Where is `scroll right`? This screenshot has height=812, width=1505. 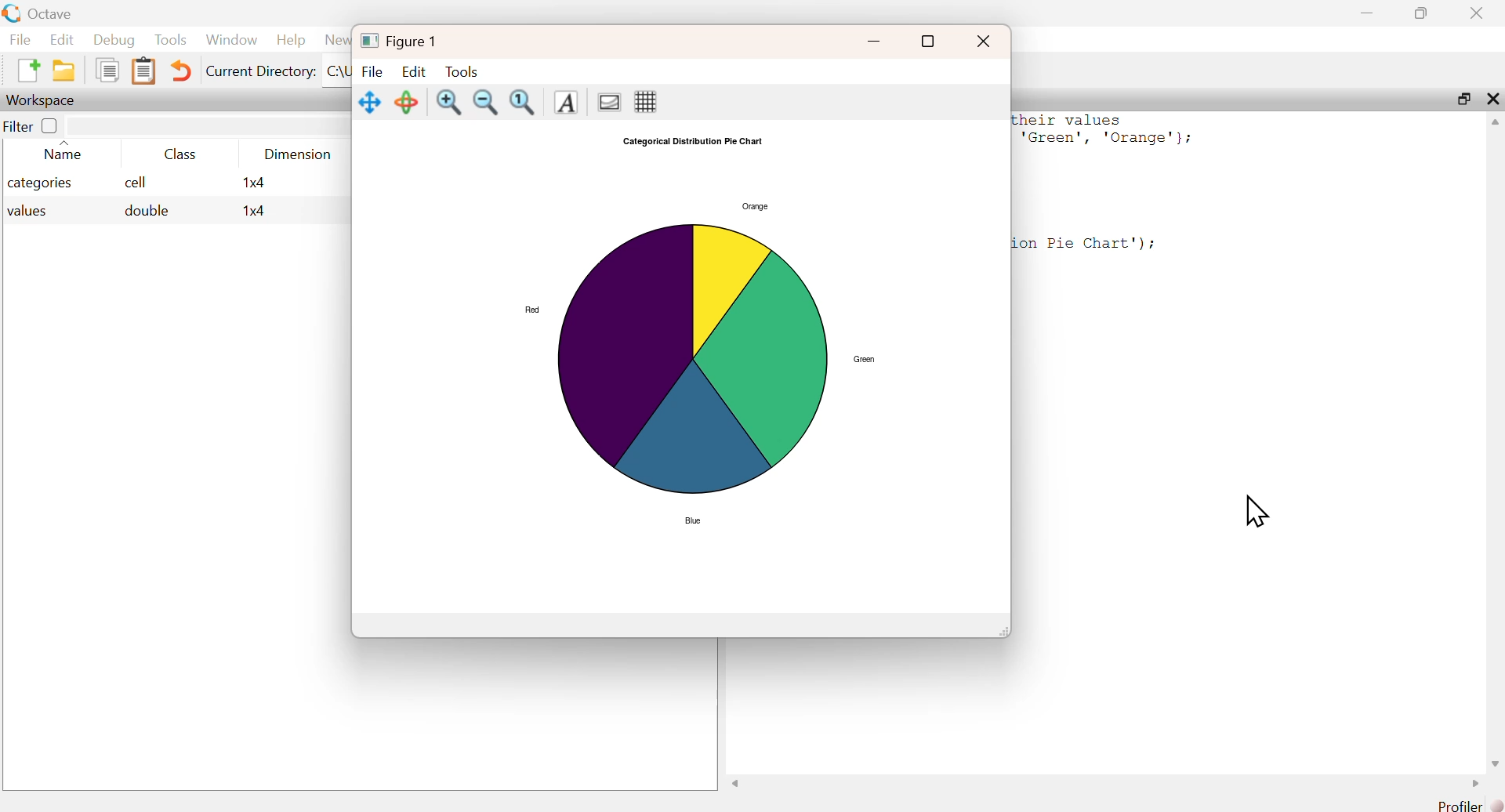
scroll right is located at coordinates (1472, 782).